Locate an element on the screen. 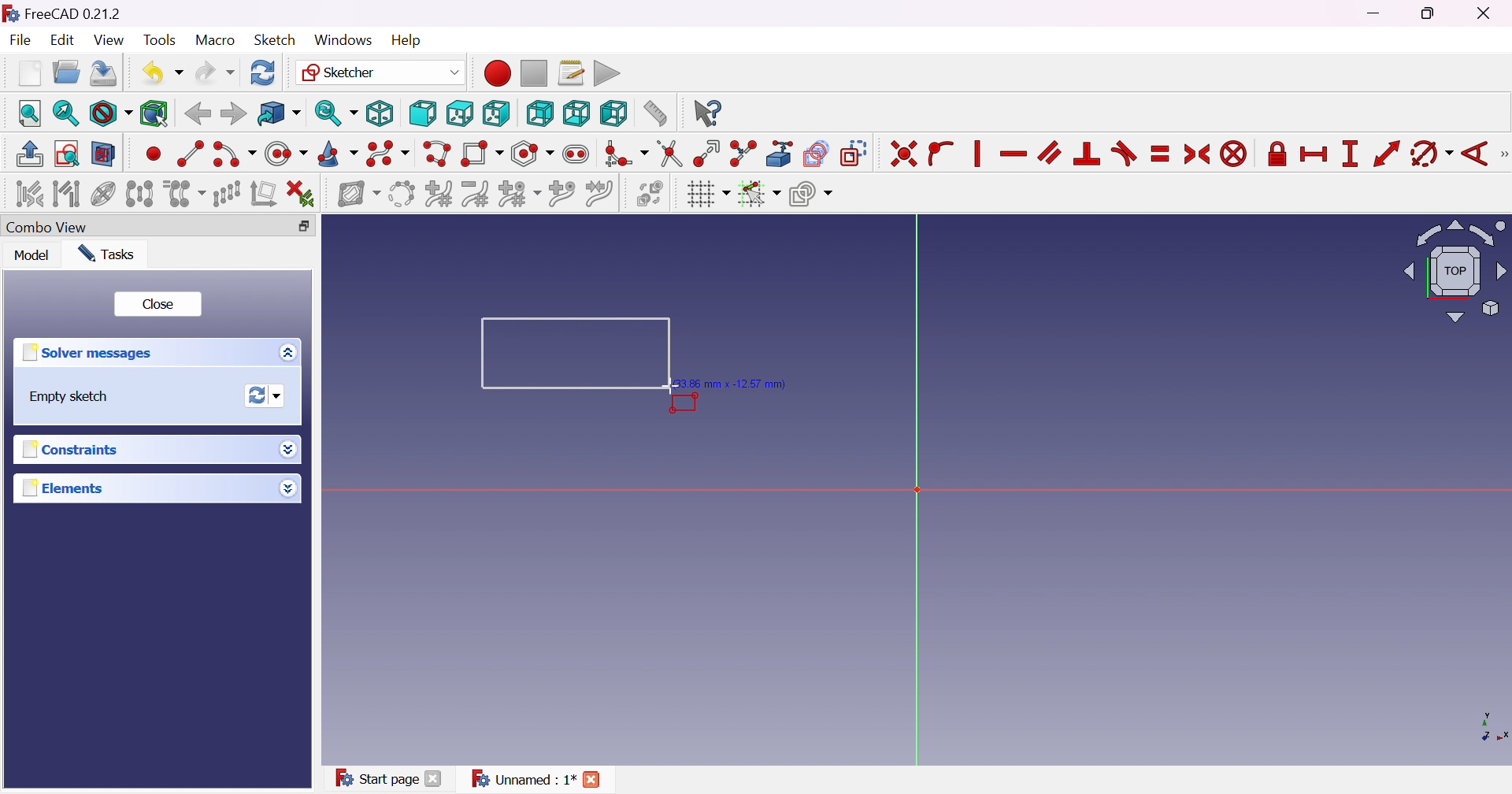 Image resolution: width=1512 pixels, height=794 pixels. New is located at coordinates (30, 72).